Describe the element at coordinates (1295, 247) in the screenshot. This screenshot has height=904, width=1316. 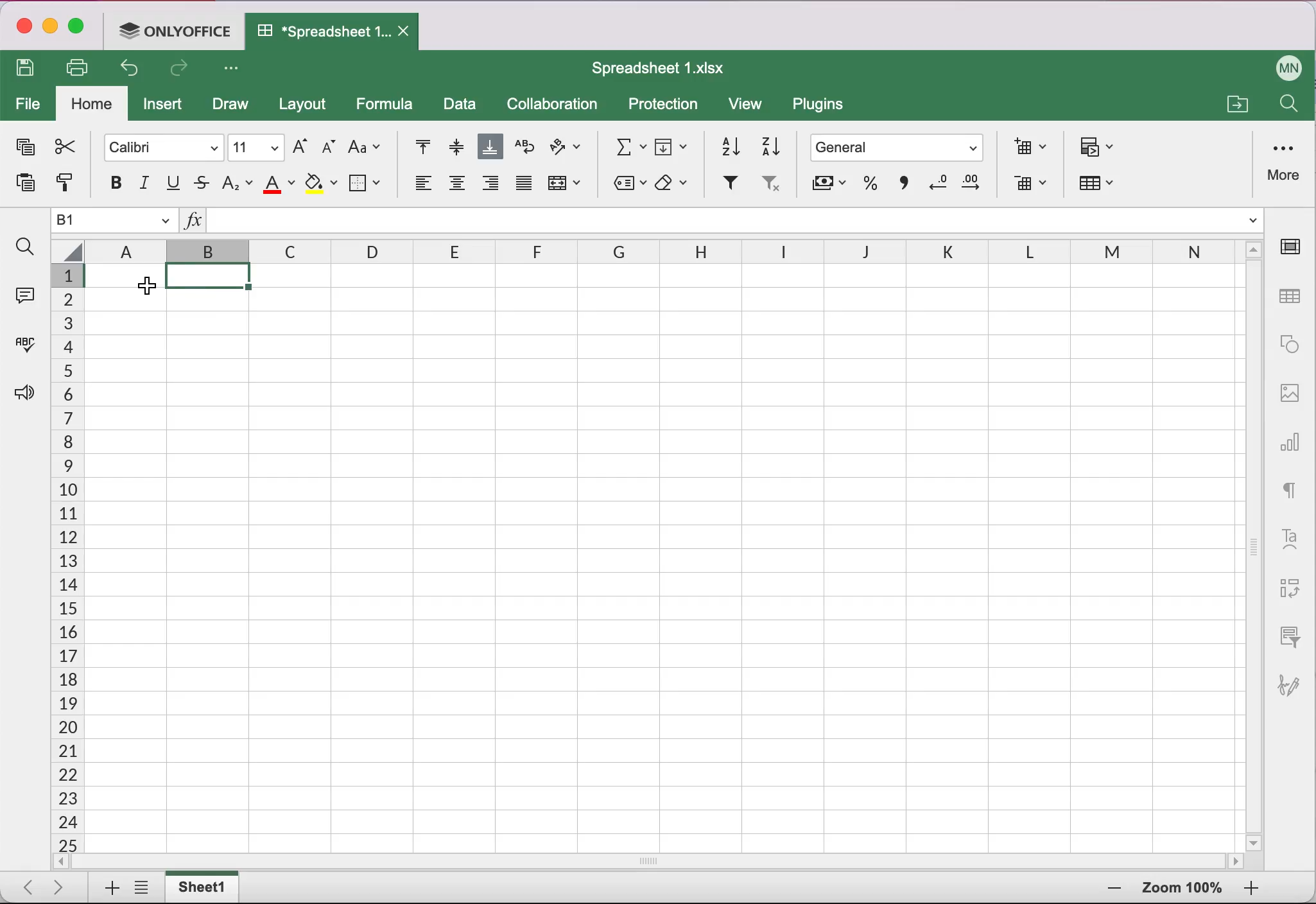
I see `cell settings` at that location.